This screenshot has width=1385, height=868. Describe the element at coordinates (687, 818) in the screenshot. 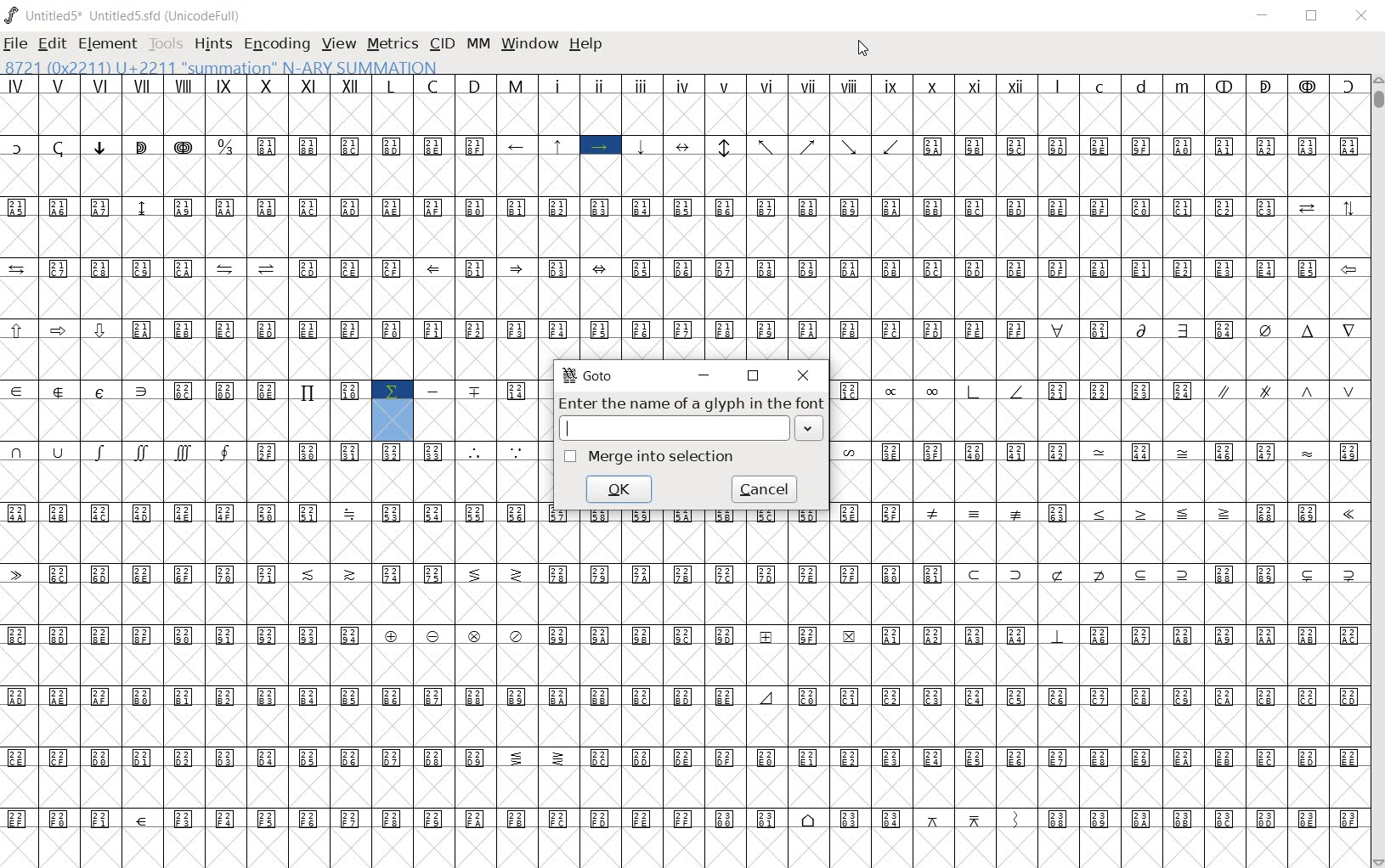

I see `special symbols` at that location.